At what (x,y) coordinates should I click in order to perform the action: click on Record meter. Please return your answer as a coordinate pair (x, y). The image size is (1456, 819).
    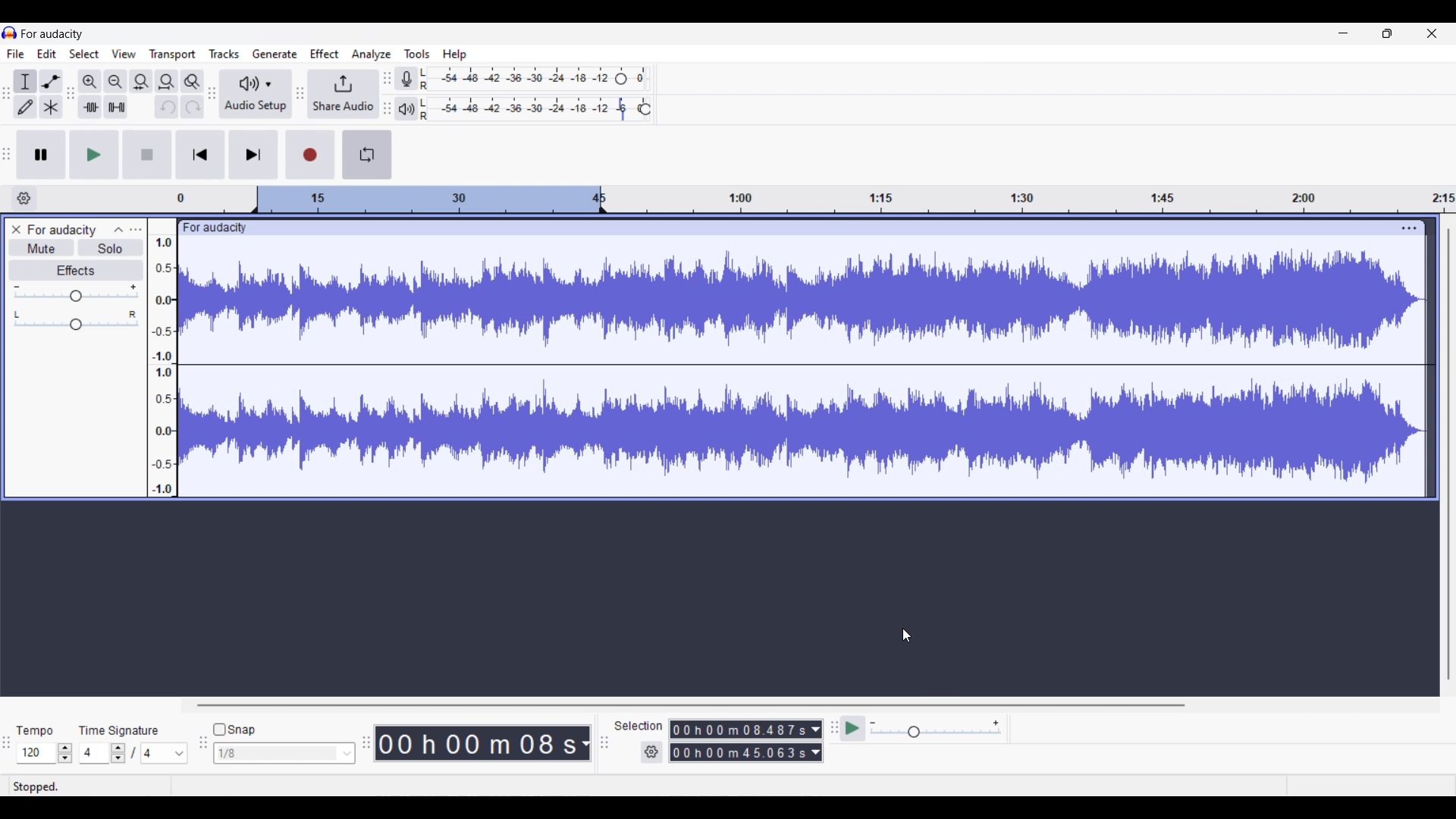
    Looking at the image, I should click on (407, 79).